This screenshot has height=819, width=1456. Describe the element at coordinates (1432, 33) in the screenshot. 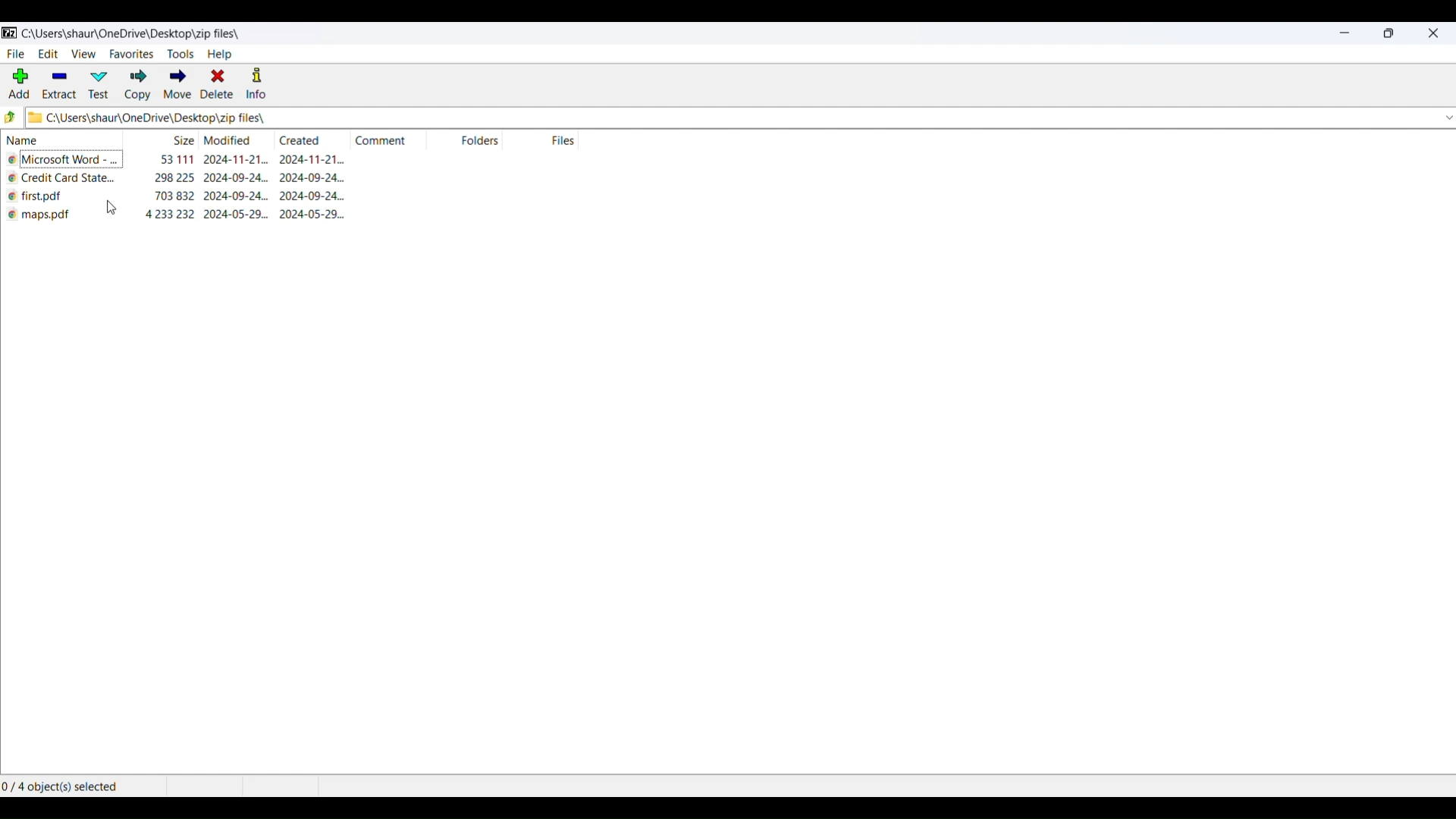

I see `close` at that location.